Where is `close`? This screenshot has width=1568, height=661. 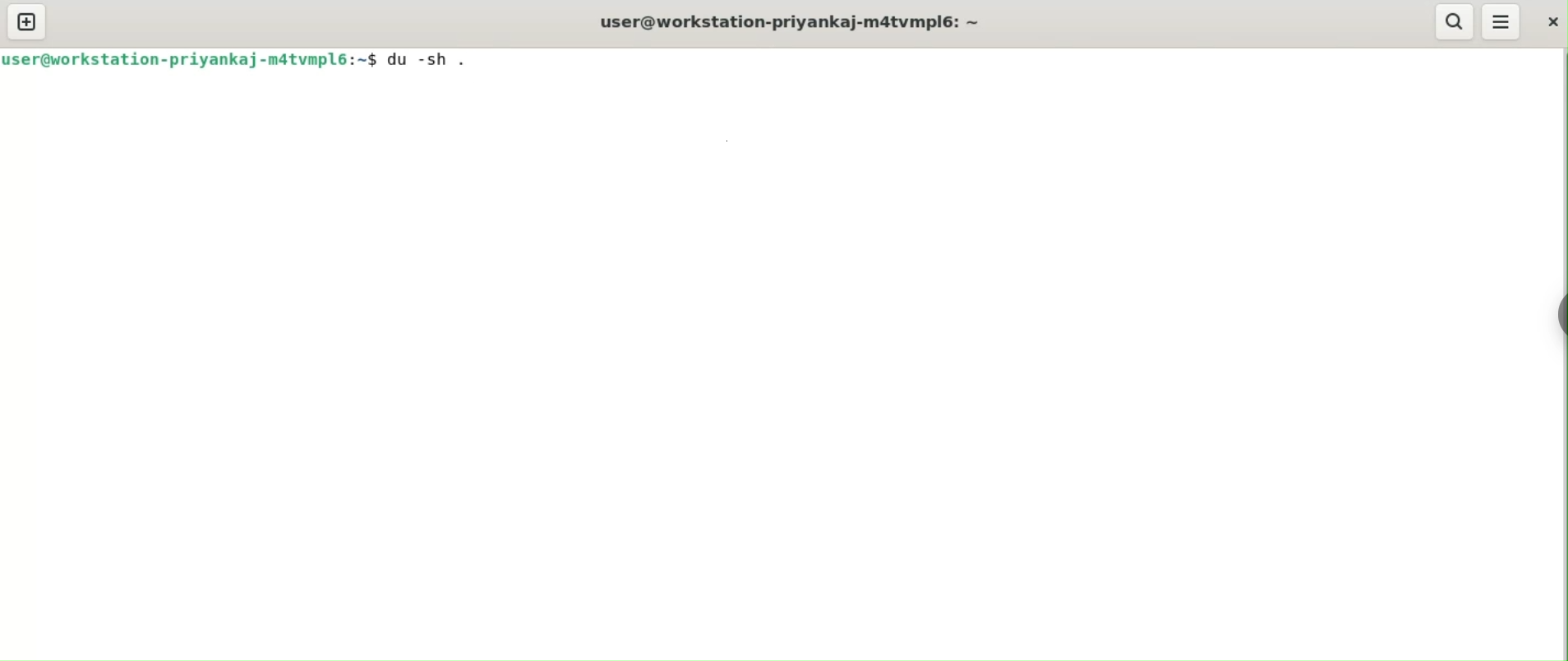
close is located at coordinates (1550, 24).